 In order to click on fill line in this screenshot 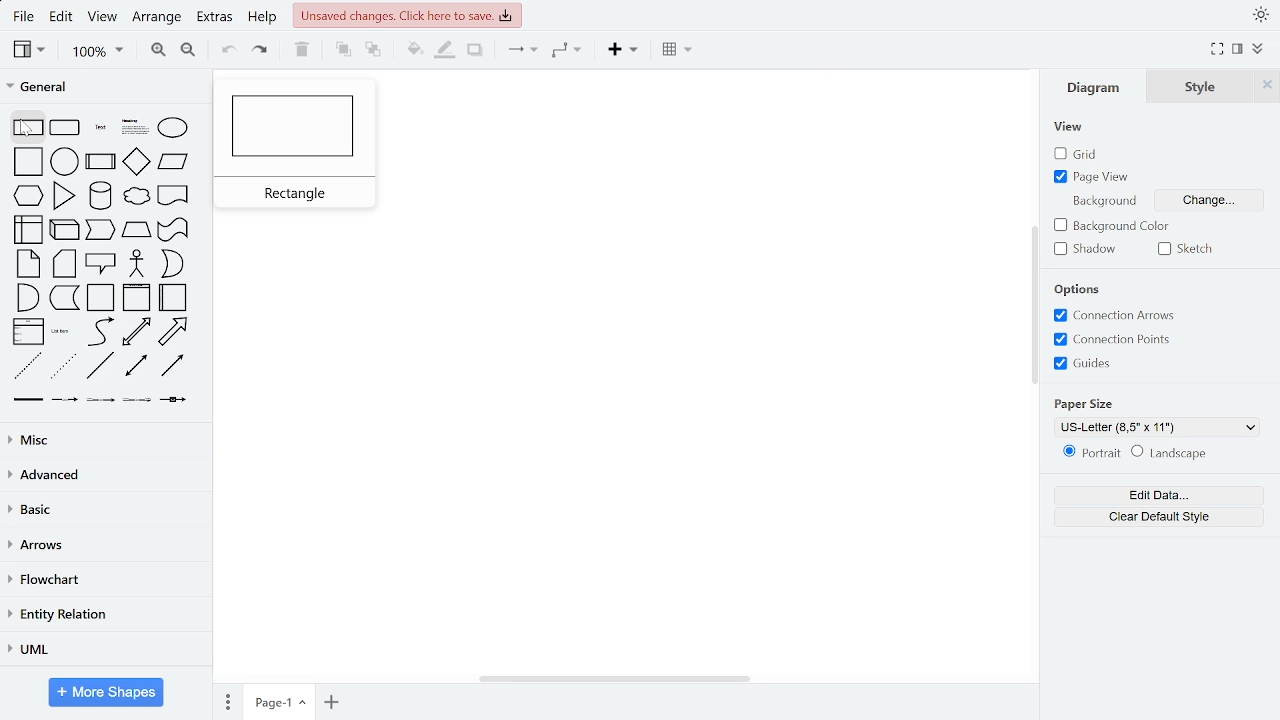, I will do `click(446, 52)`.